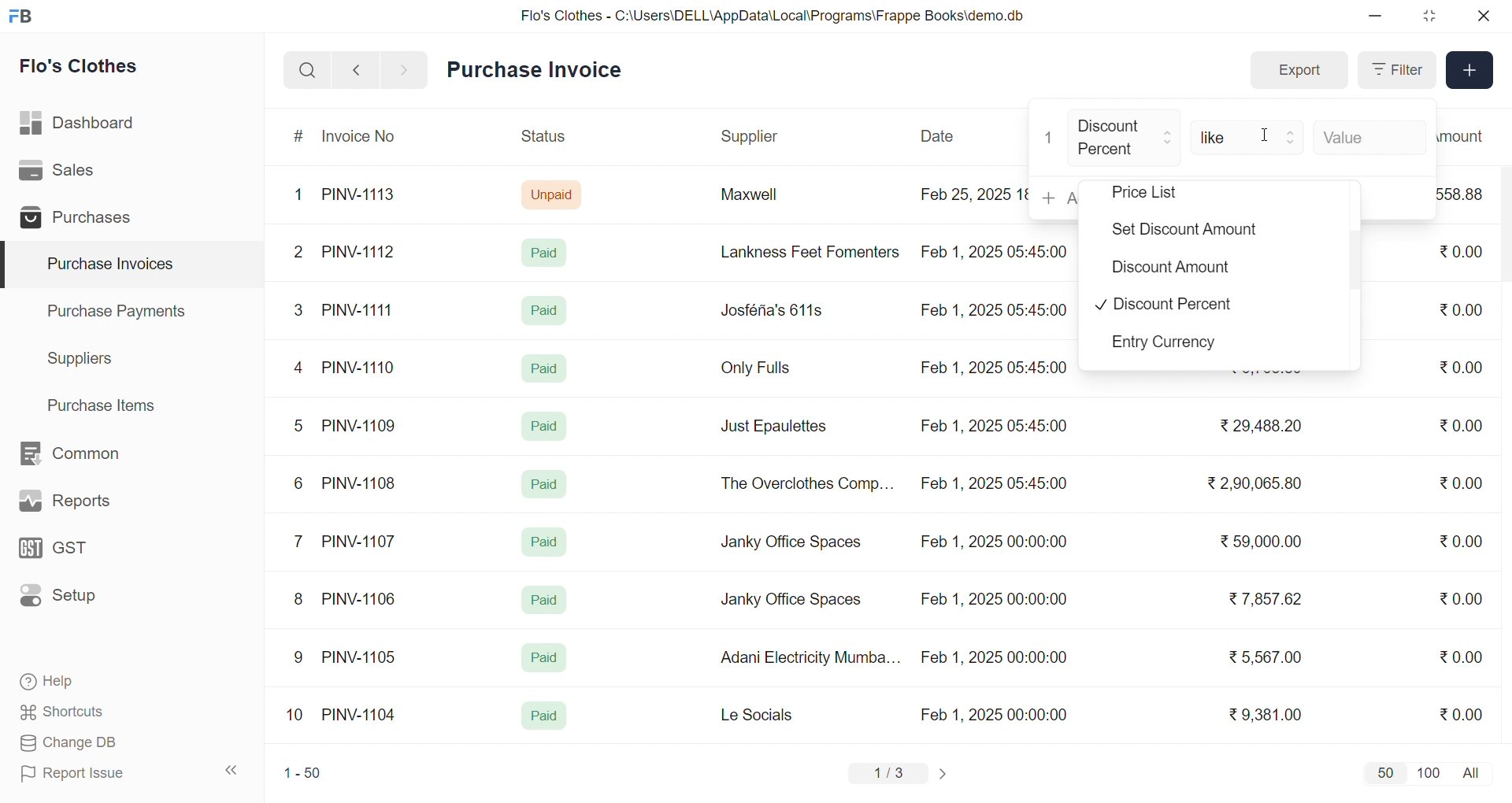 The image size is (1512, 803). I want to click on Flo's Clothes - C:\Users\DELL\AppData\Local\Programs\Frappe Books\demo.db, so click(773, 16).